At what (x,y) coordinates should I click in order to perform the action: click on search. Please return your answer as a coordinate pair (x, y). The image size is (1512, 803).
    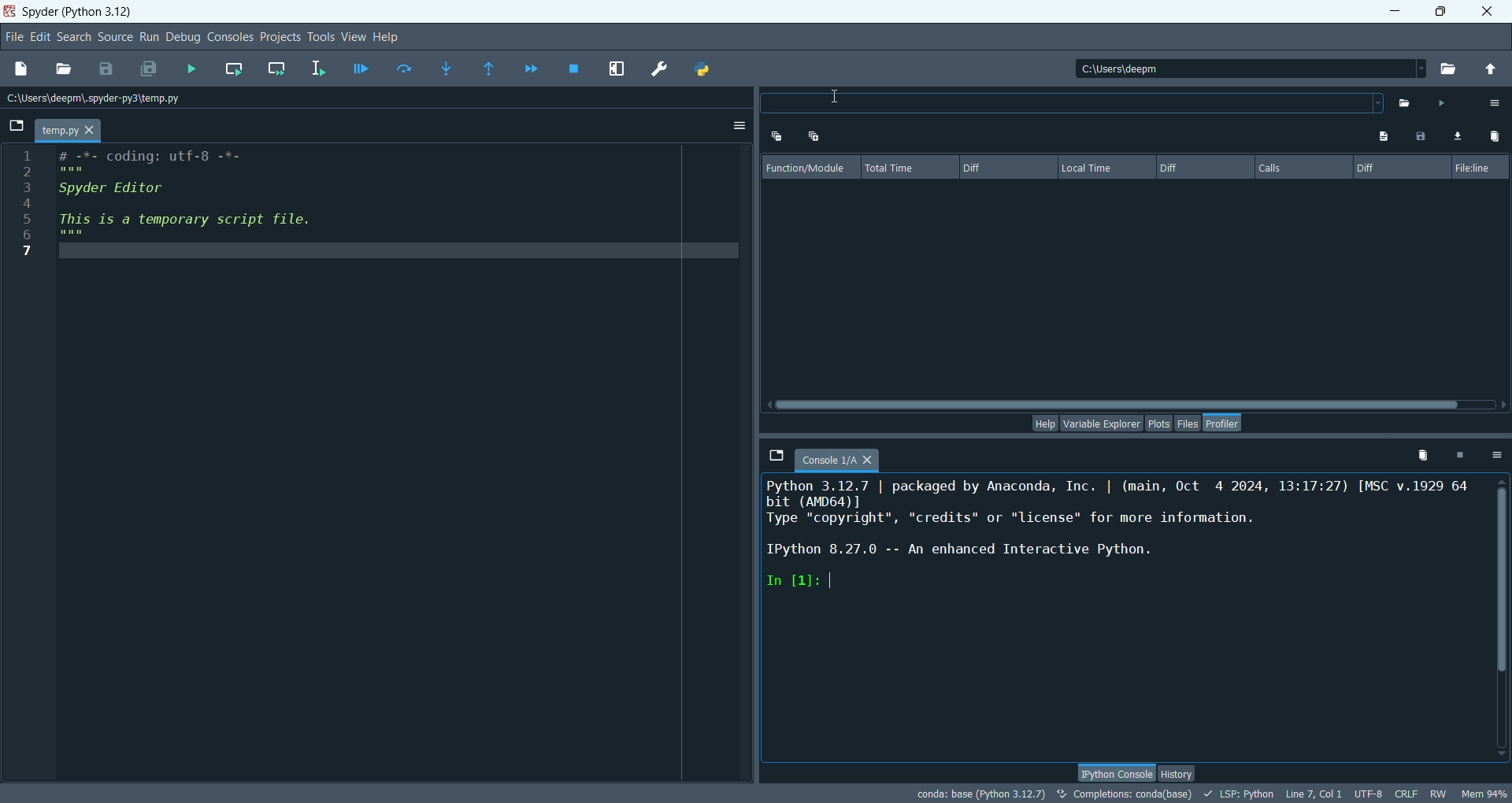
    Looking at the image, I should click on (73, 38).